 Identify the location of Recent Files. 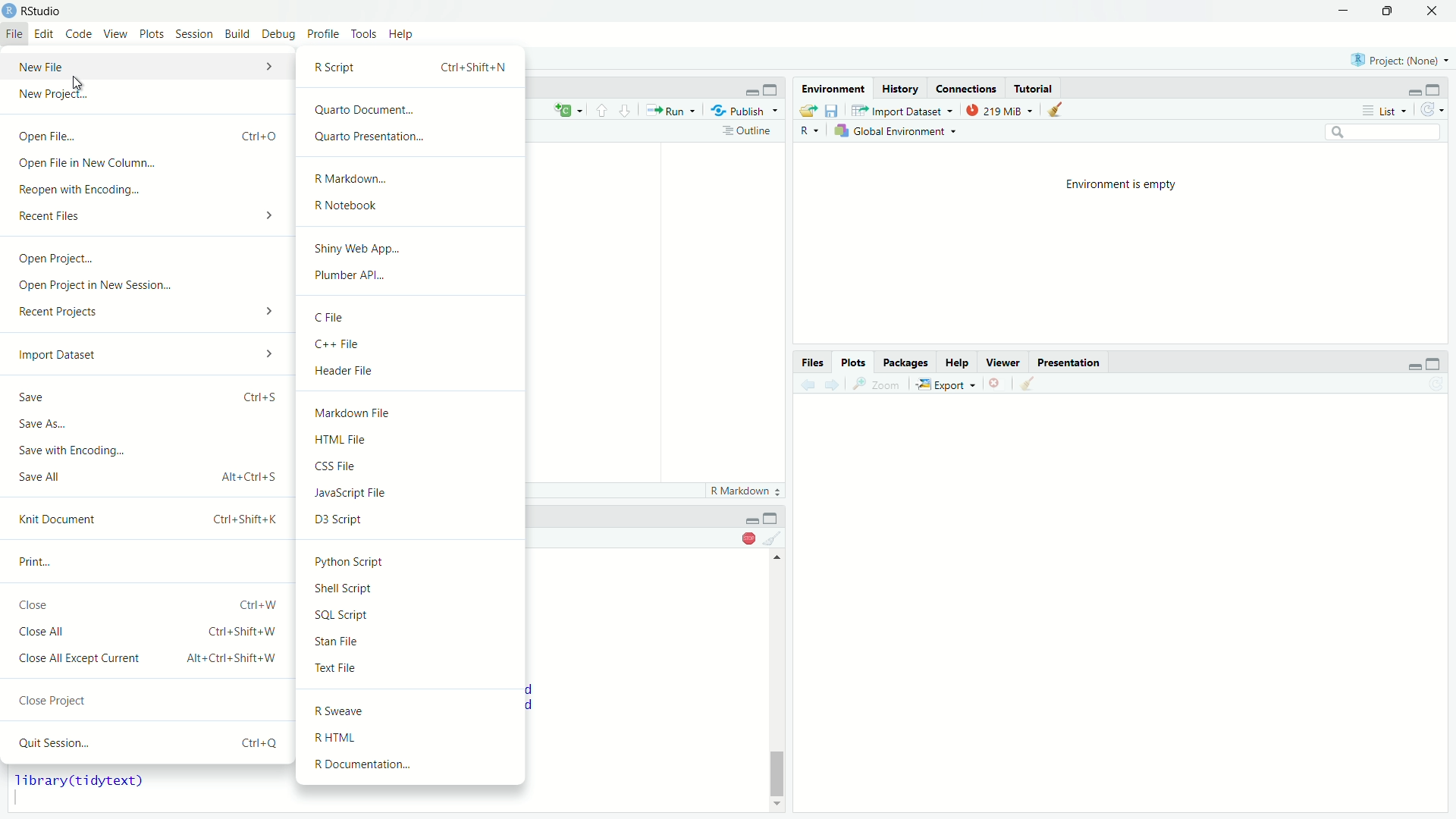
(149, 214).